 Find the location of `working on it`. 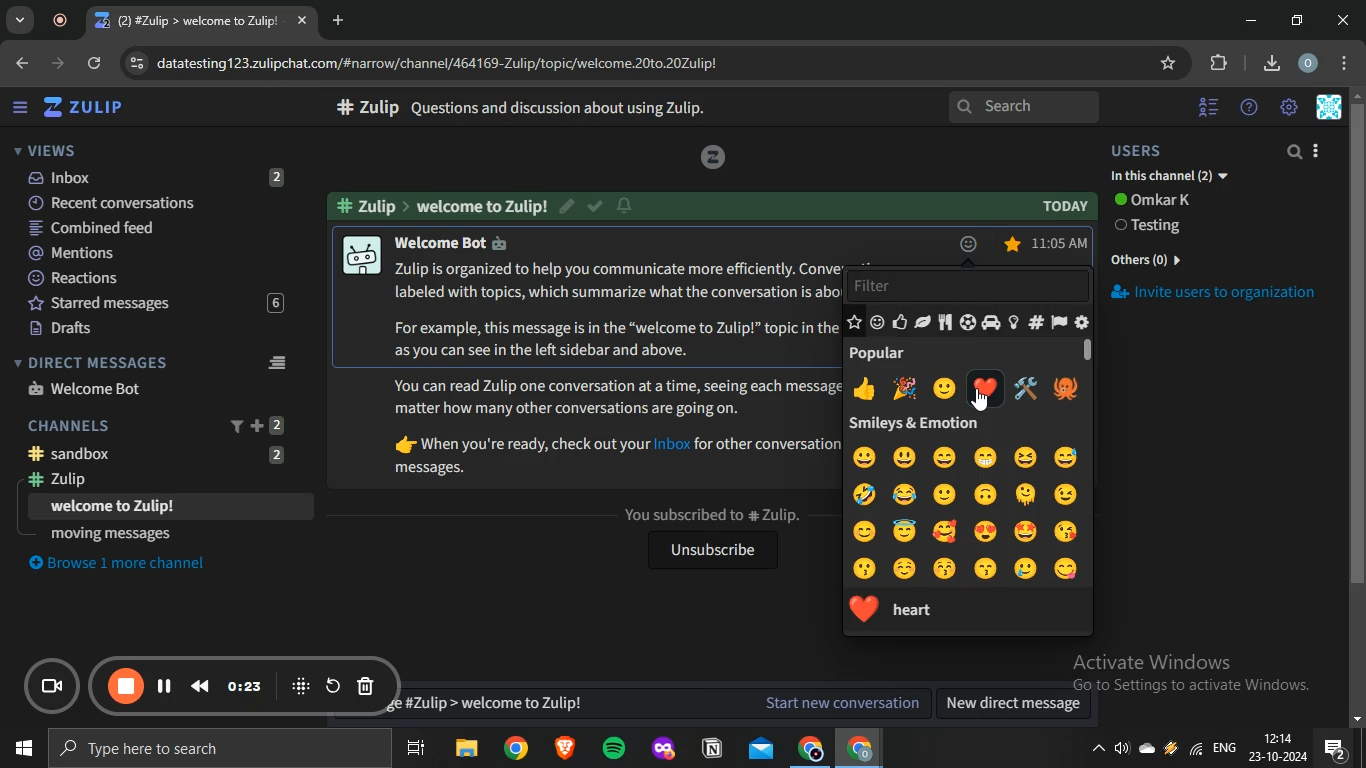

working on it is located at coordinates (1026, 388).